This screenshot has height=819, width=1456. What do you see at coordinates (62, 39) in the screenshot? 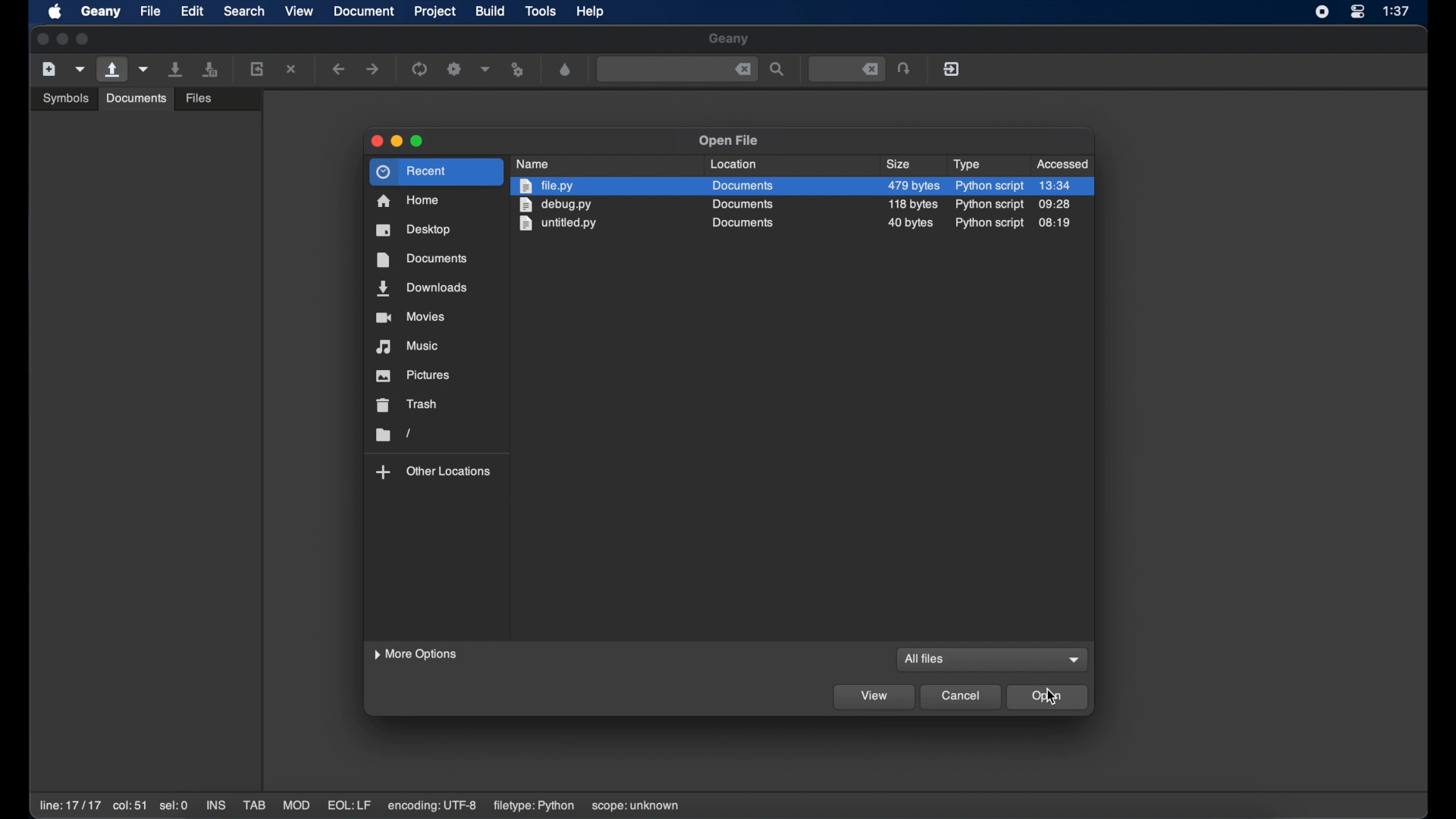
I see `minimize` at bounding box center [62, 39].